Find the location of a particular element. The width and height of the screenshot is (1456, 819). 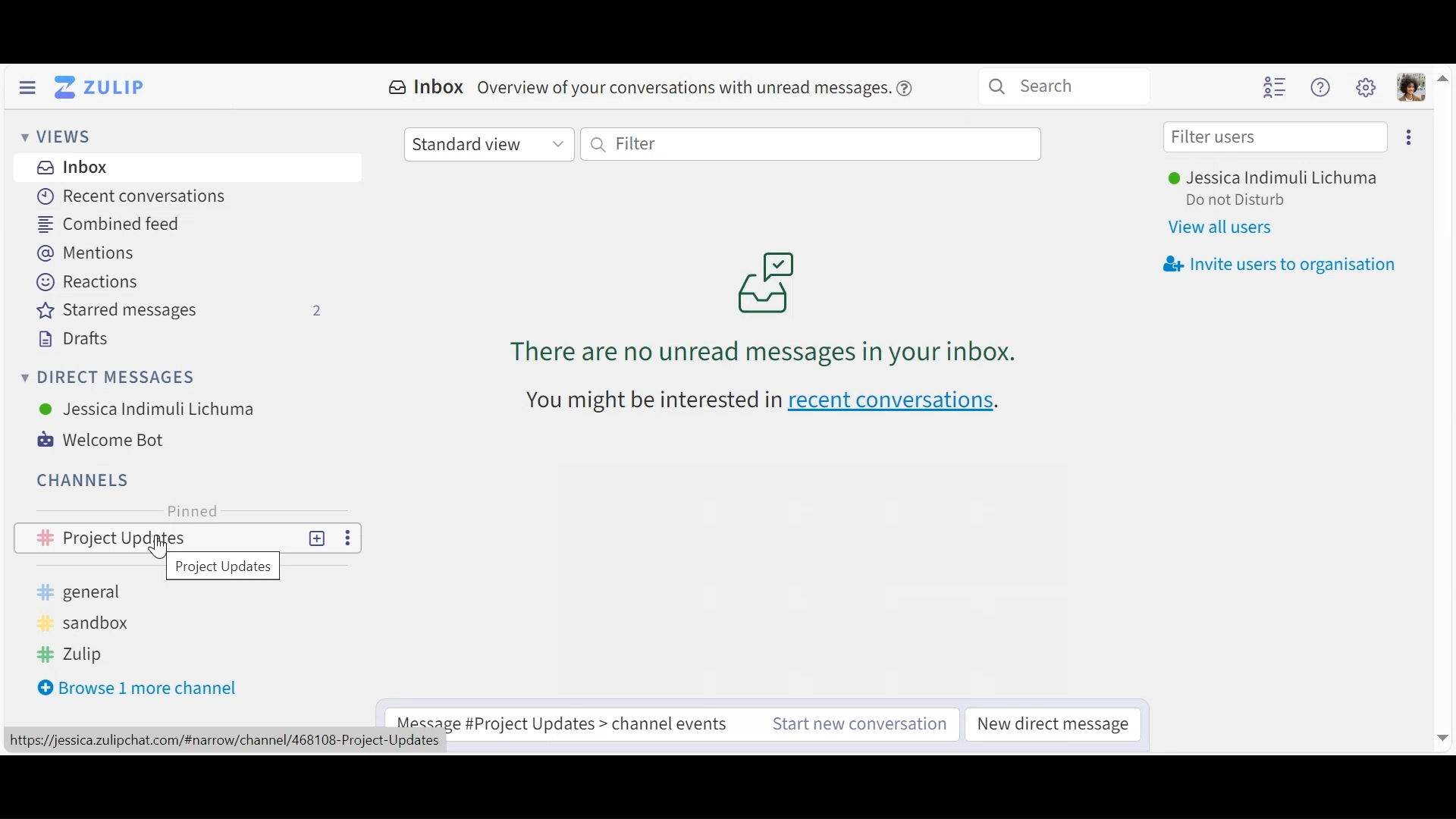

Invite users organisation is located at coordinates (1279, 262).